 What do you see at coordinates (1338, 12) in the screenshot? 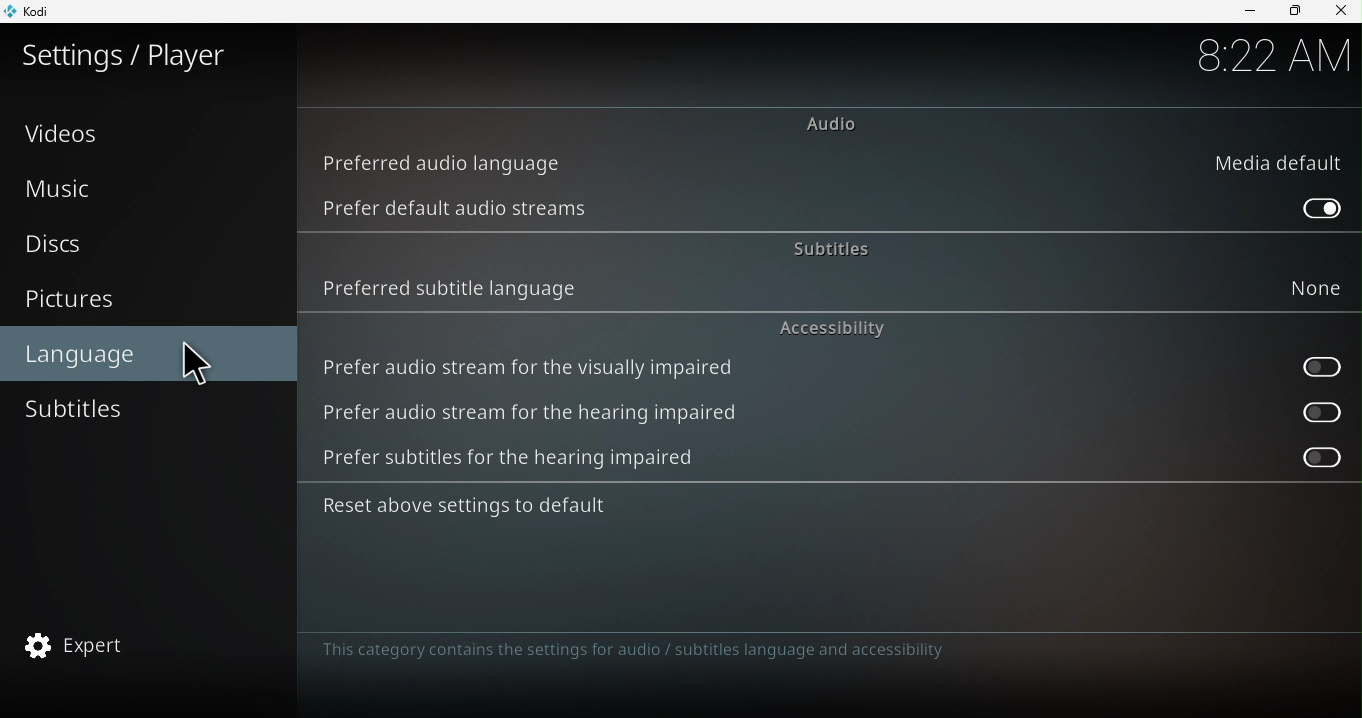
I see `Close` at bounding box center [1338, 12].